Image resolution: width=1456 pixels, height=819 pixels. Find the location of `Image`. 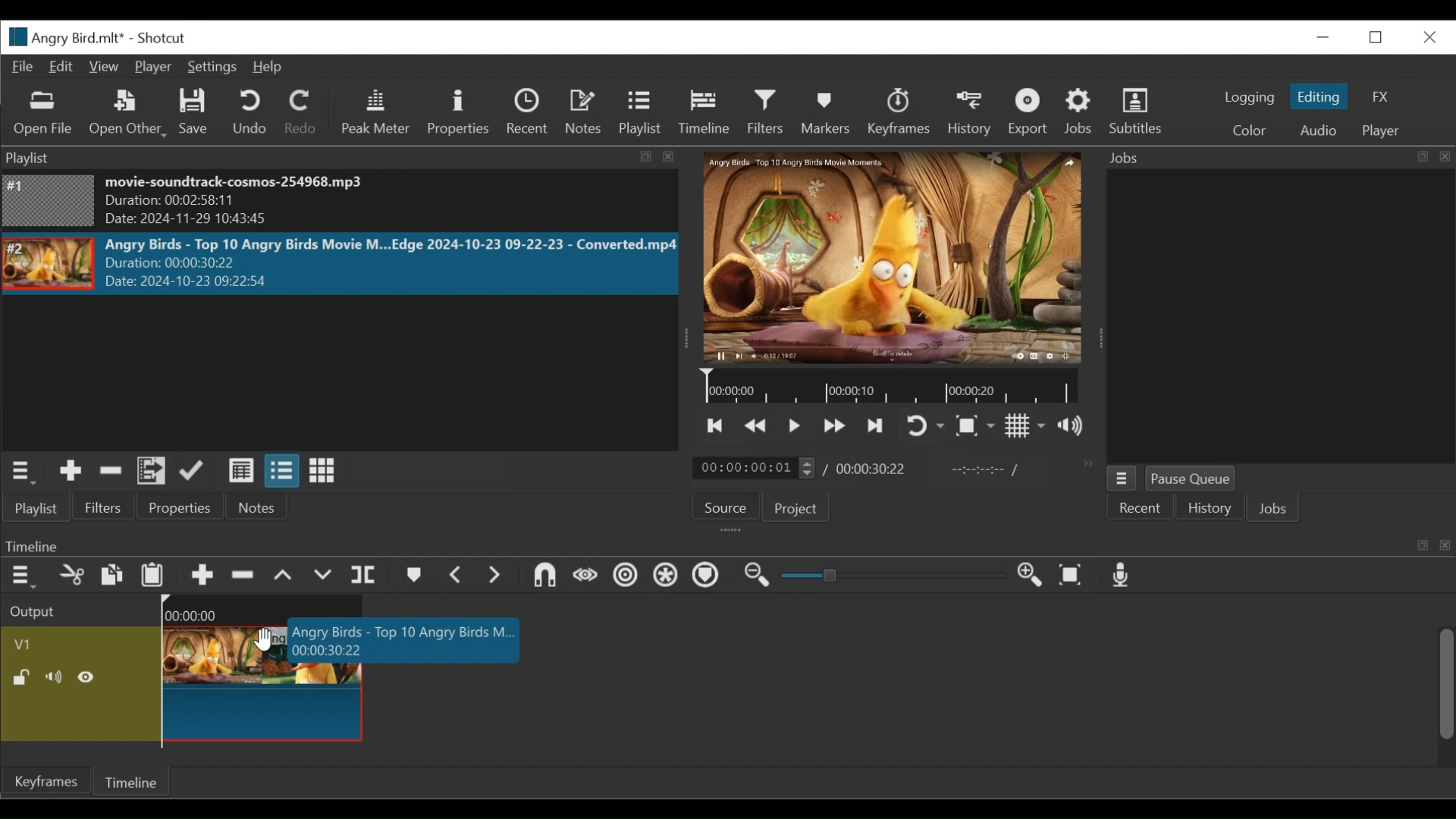

Image is located at coordinates (49, 264).